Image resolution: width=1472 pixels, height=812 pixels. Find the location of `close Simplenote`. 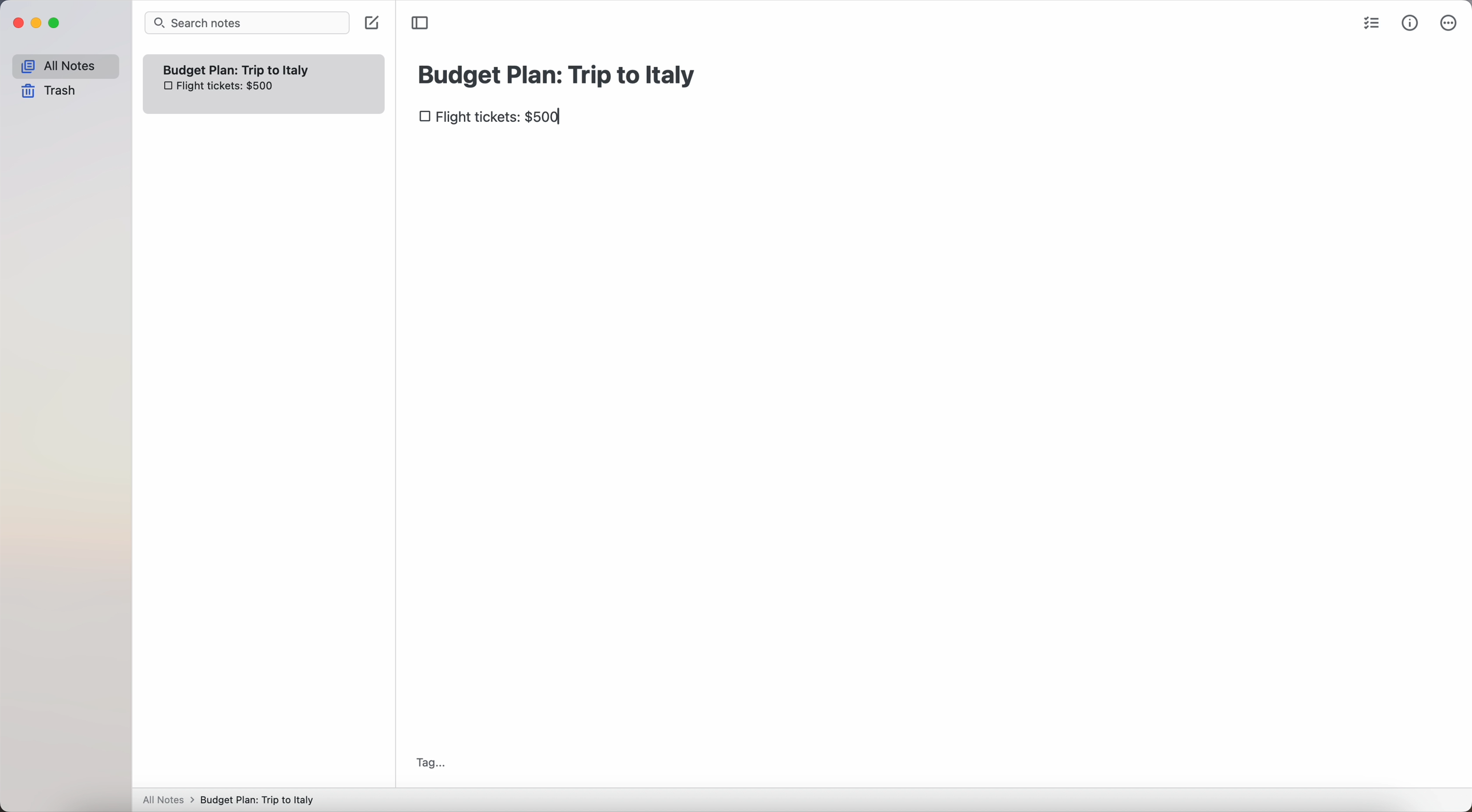

close Simplenote is located at coordinates (18, 23).